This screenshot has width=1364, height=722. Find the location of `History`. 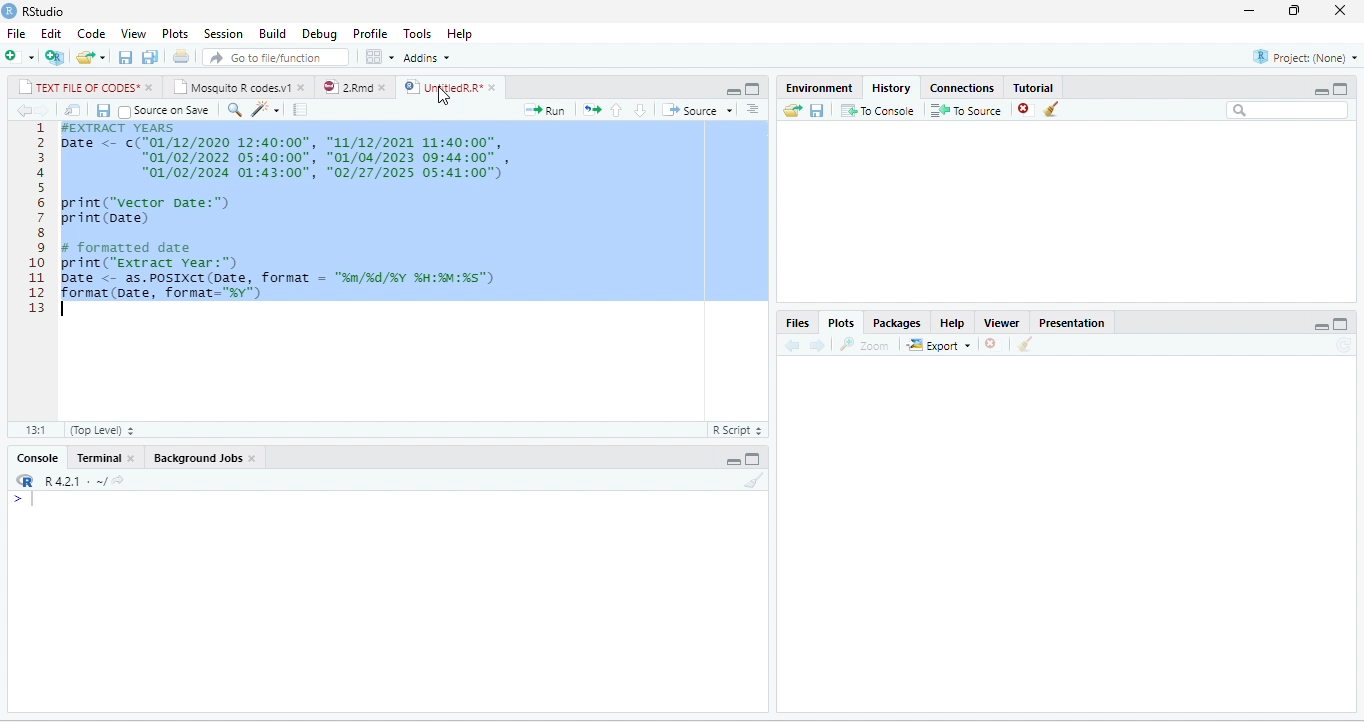

History is located at coordinates (891, 89).